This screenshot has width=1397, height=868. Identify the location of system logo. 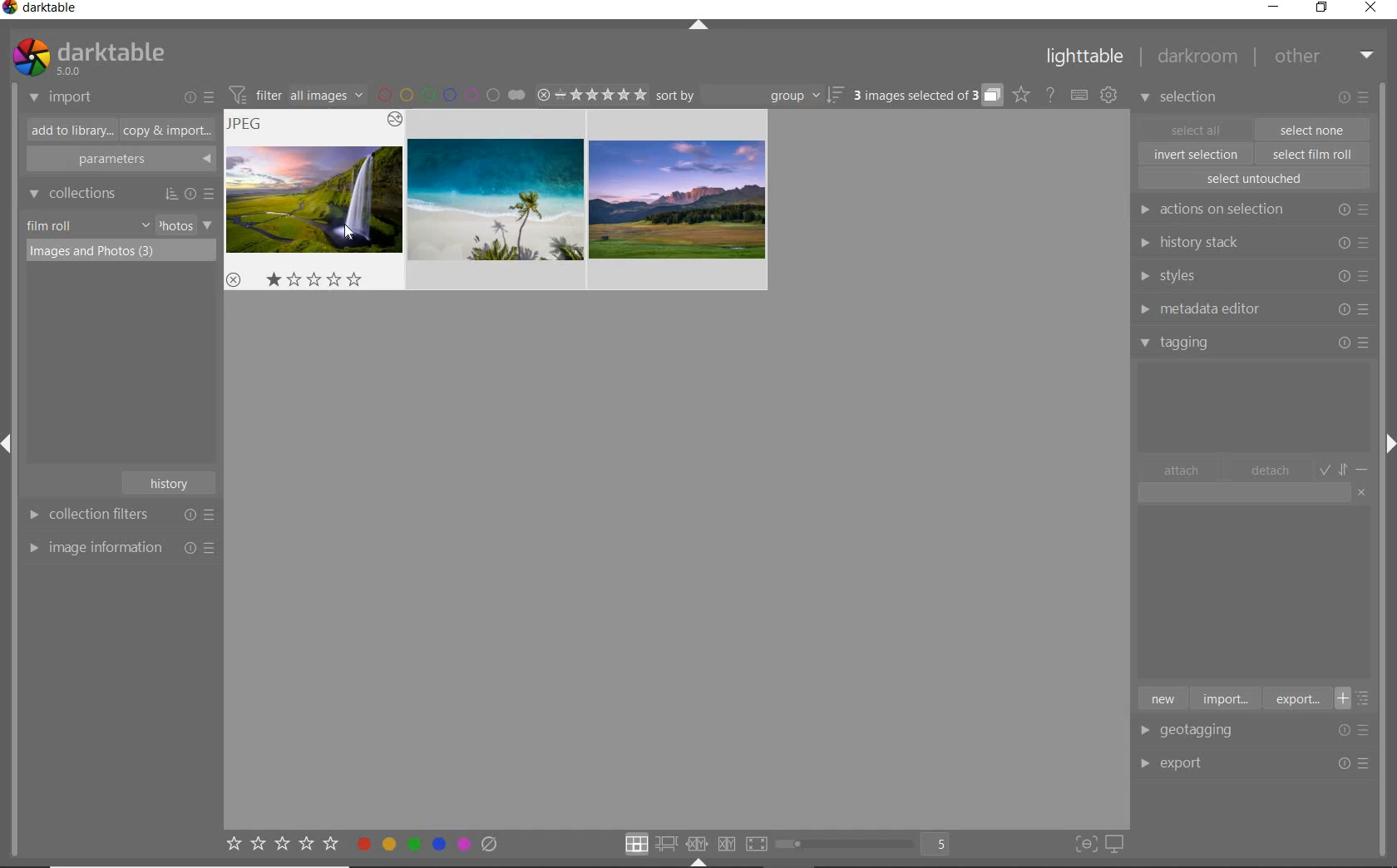
(87, 57).